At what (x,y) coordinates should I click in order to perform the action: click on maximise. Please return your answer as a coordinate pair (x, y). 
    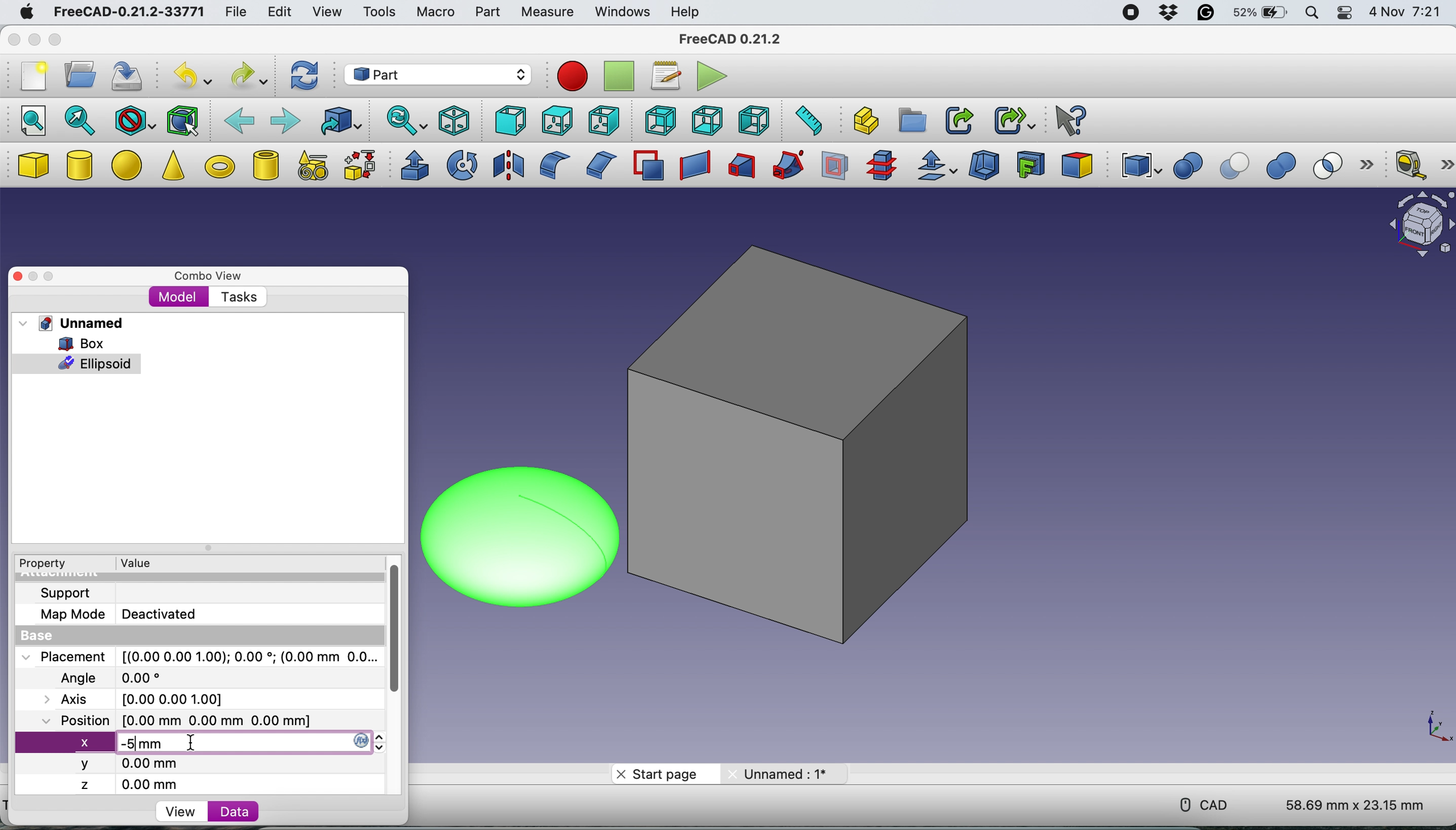
    Looking at the image, I should click on (55, 40).